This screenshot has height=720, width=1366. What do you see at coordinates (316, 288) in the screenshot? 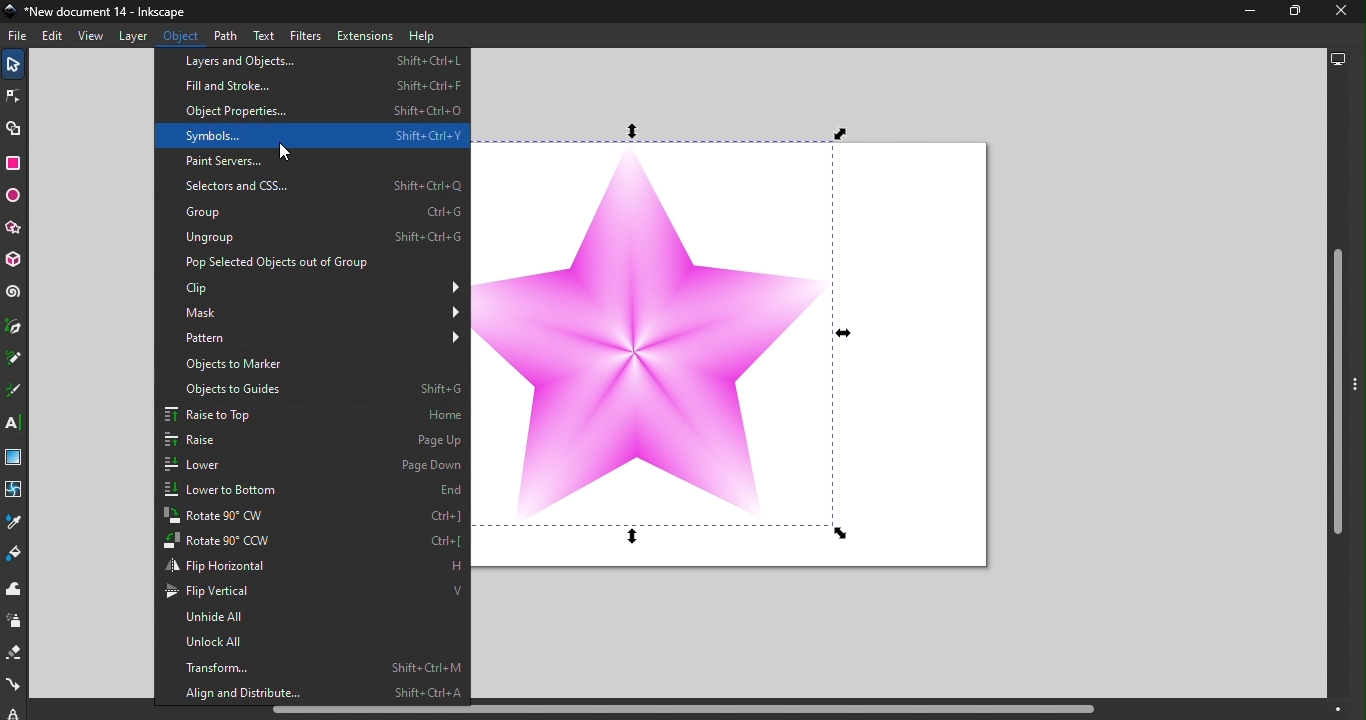
I see `Clip` at bounding box center [316, 288].